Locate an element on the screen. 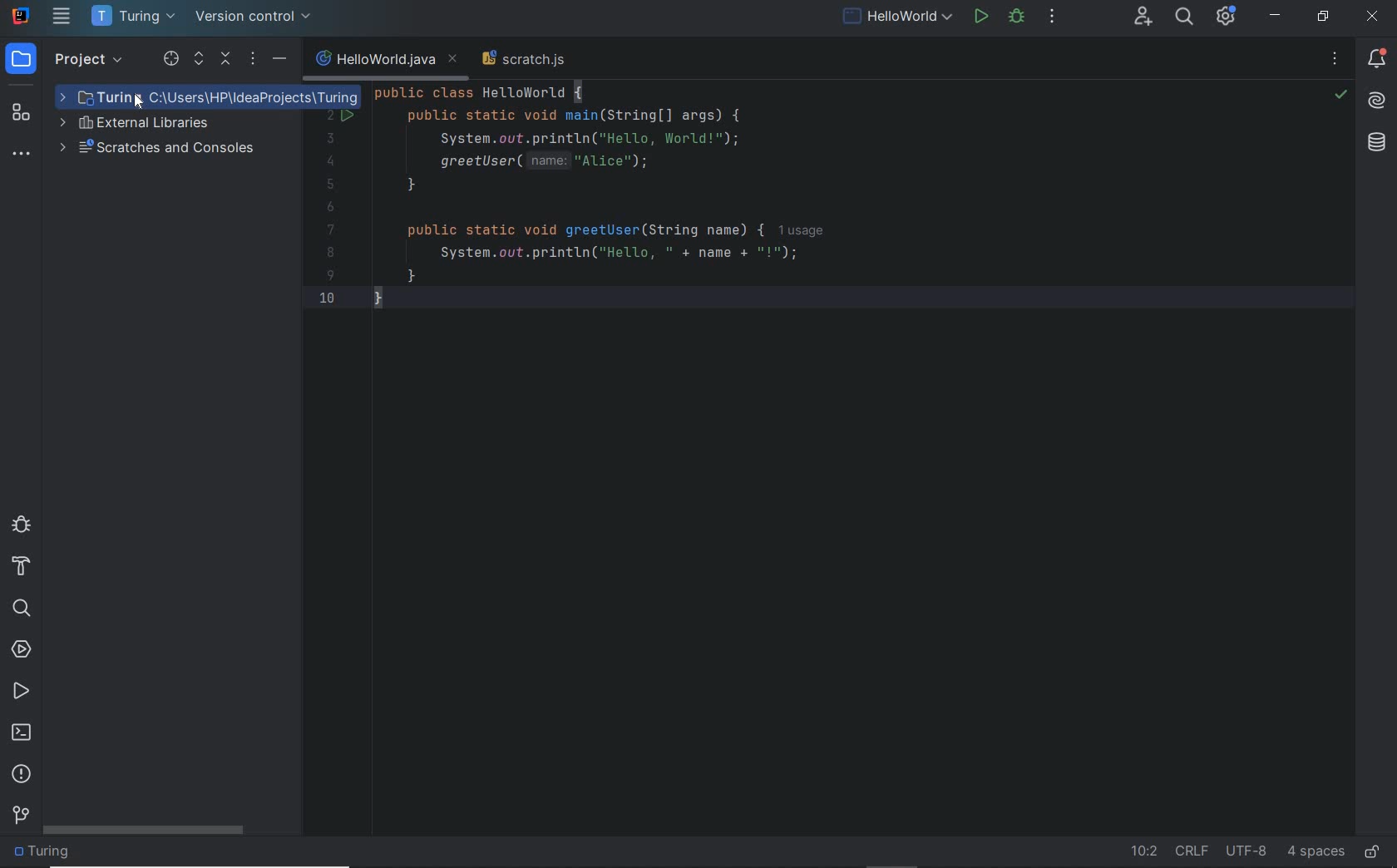  terminal is located at coordinates (22, 732).